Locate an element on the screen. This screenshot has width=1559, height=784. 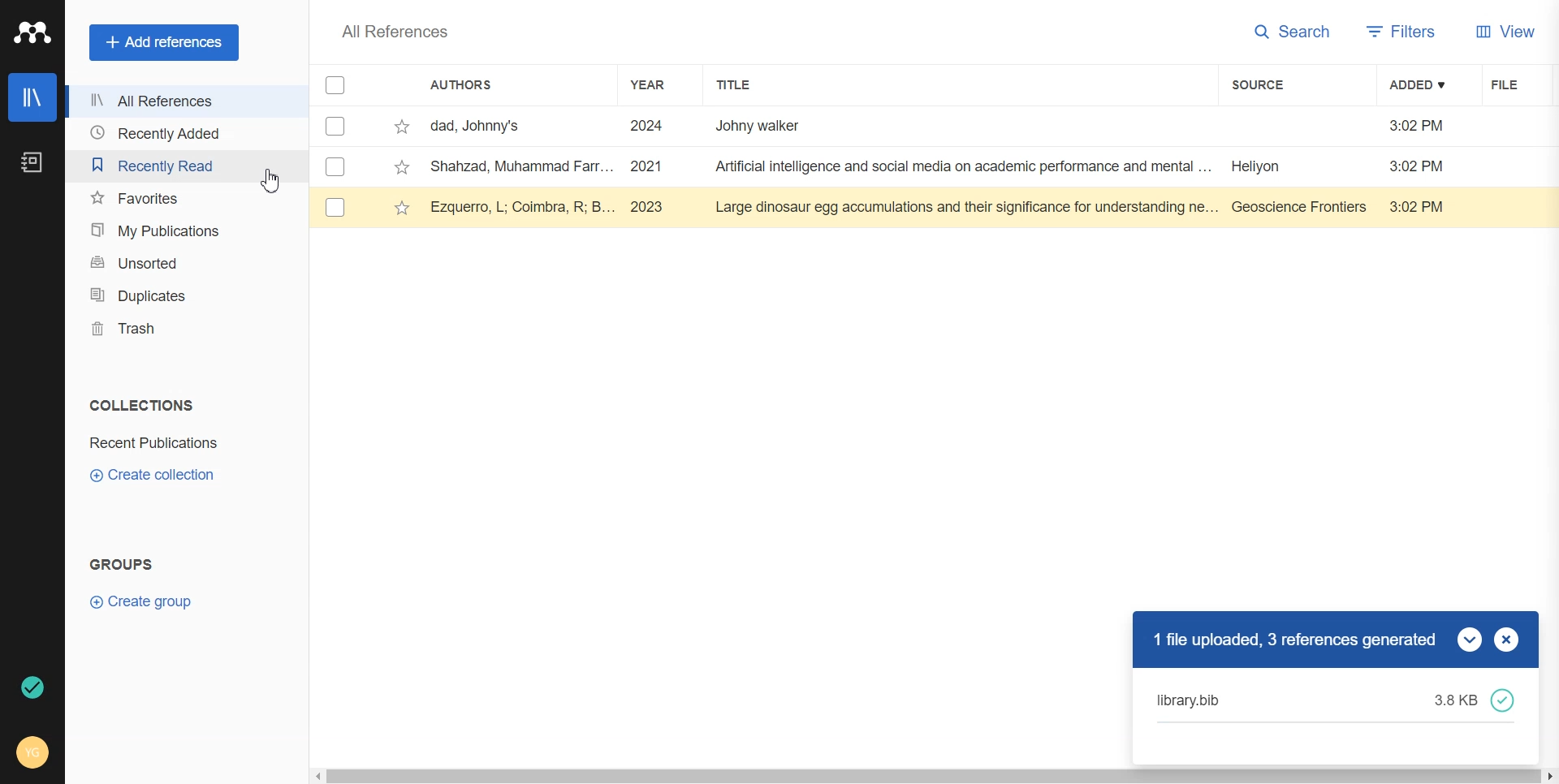
Favorites is located at coordinates (183, 194).